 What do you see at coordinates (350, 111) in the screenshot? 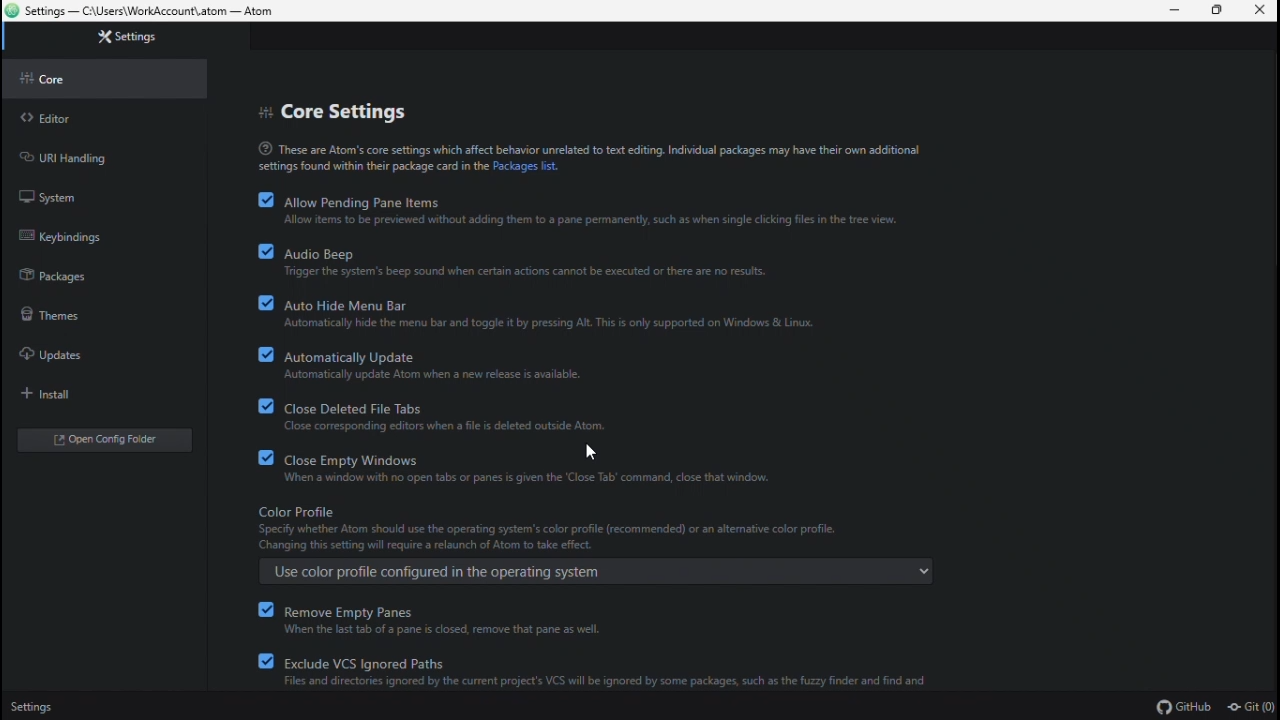
I see `Core settings ` at bounding box center [350, 111].